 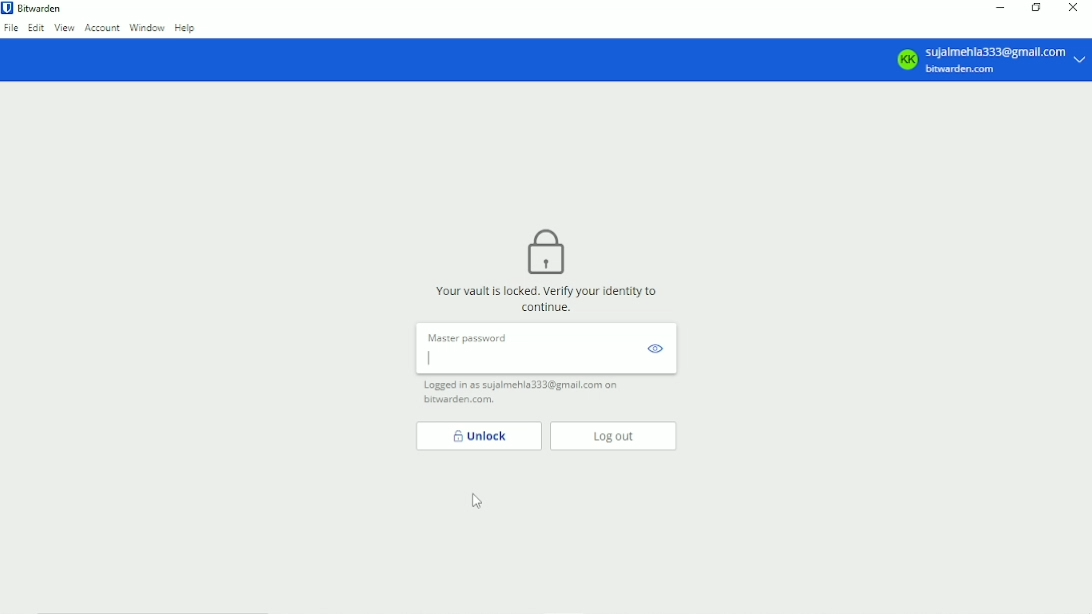 I want to click on Help, so click(x=188, y=28).